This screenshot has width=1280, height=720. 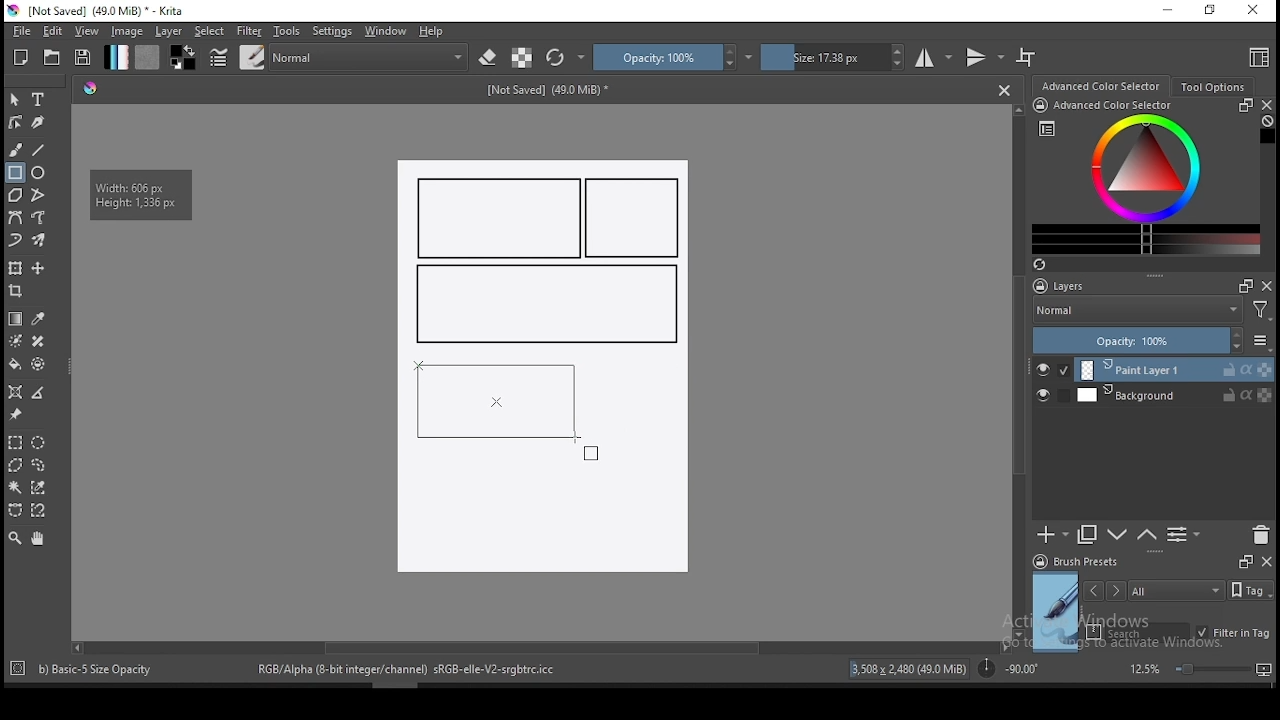 What do you see at coordinates (1257, 57) in the screenshot?
I see `choose workspace` at bounding box center [1257, 57].